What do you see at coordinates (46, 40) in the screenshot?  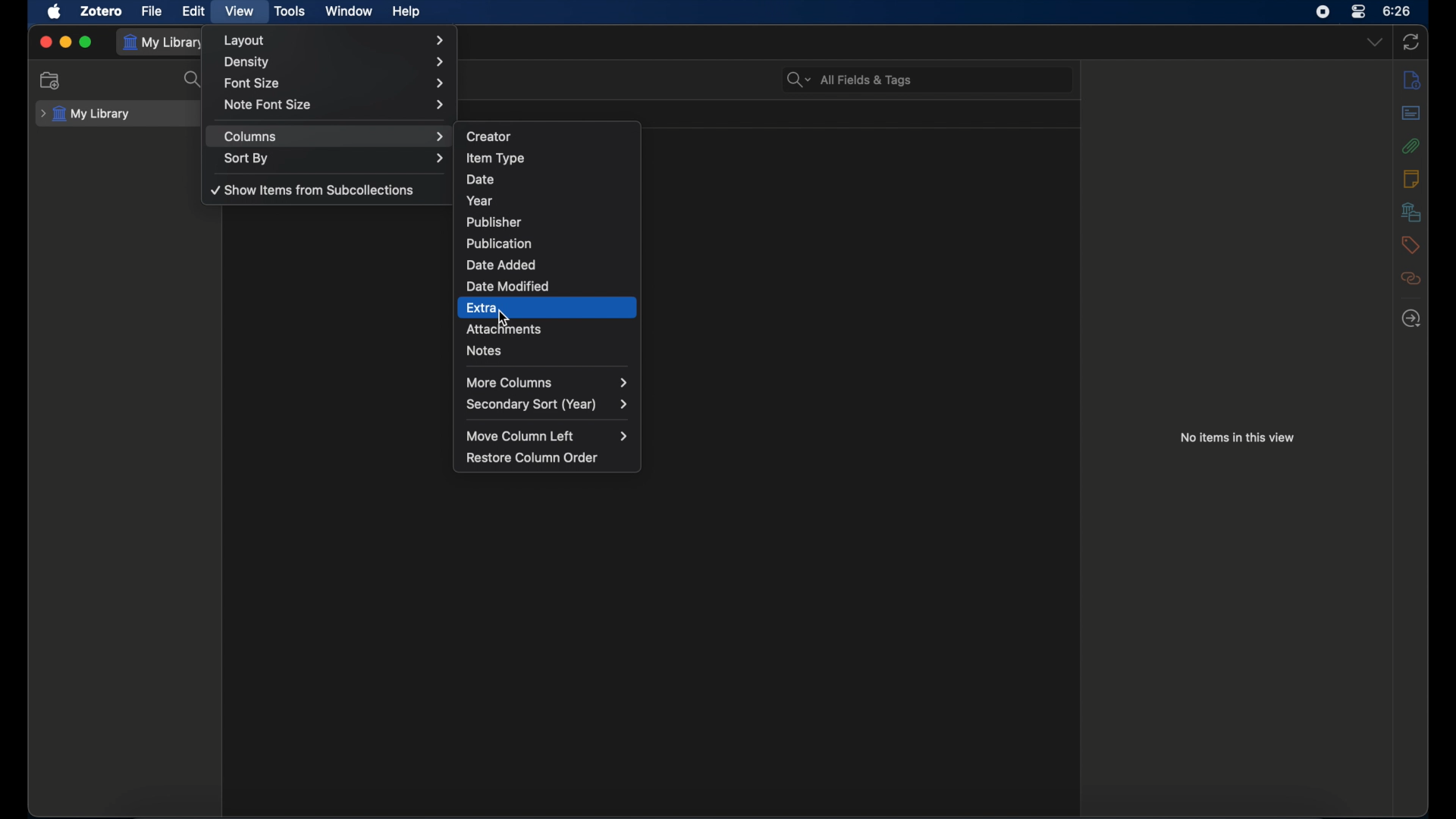 I see `close` at bounding box center [46, 40].